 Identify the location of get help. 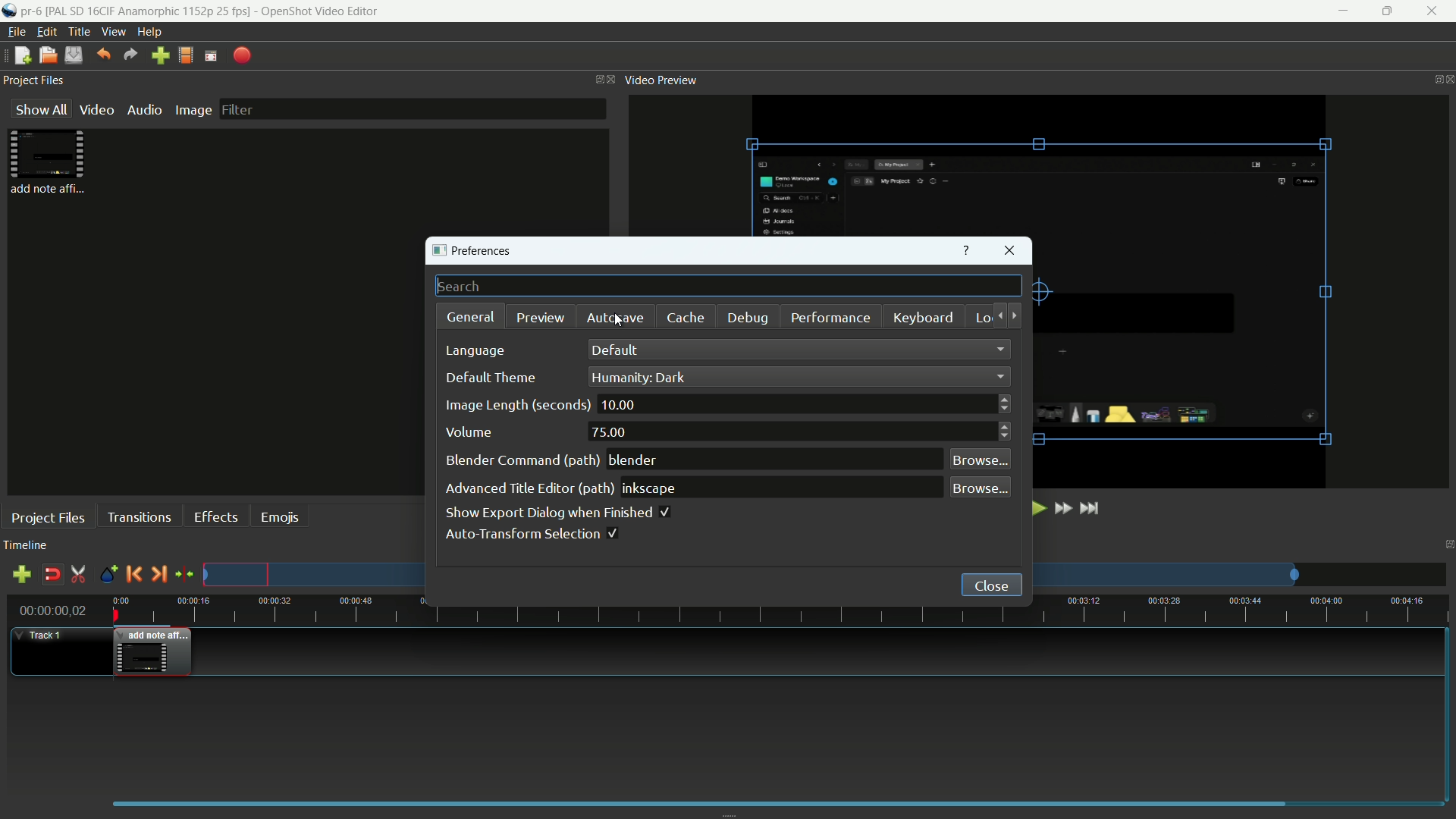
(968, 250).